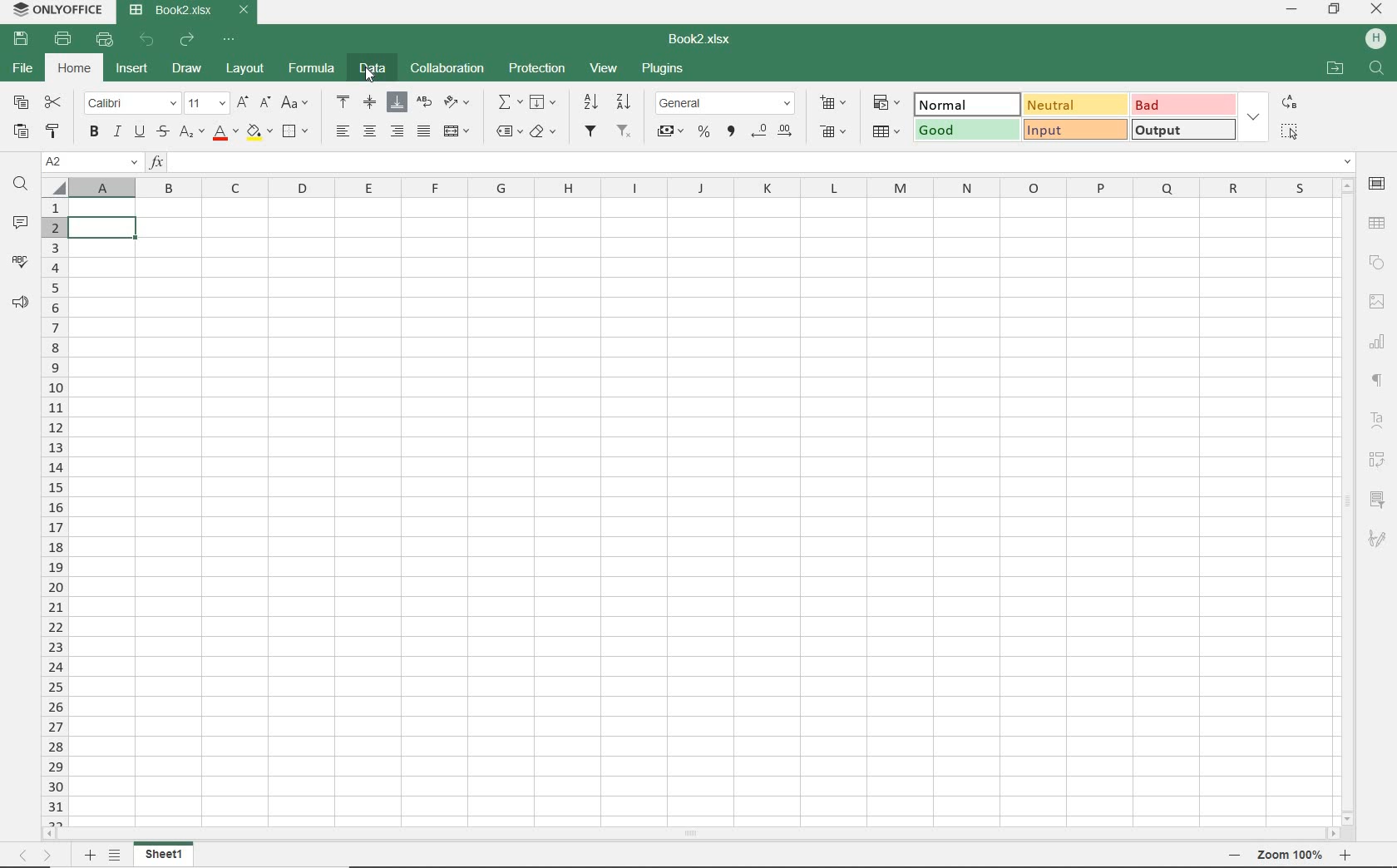 The height and width of the screenshot is (868, 1397). Describe the element at coordinates (299, 131) in the screenshot. I see `BORDERS` at that location.